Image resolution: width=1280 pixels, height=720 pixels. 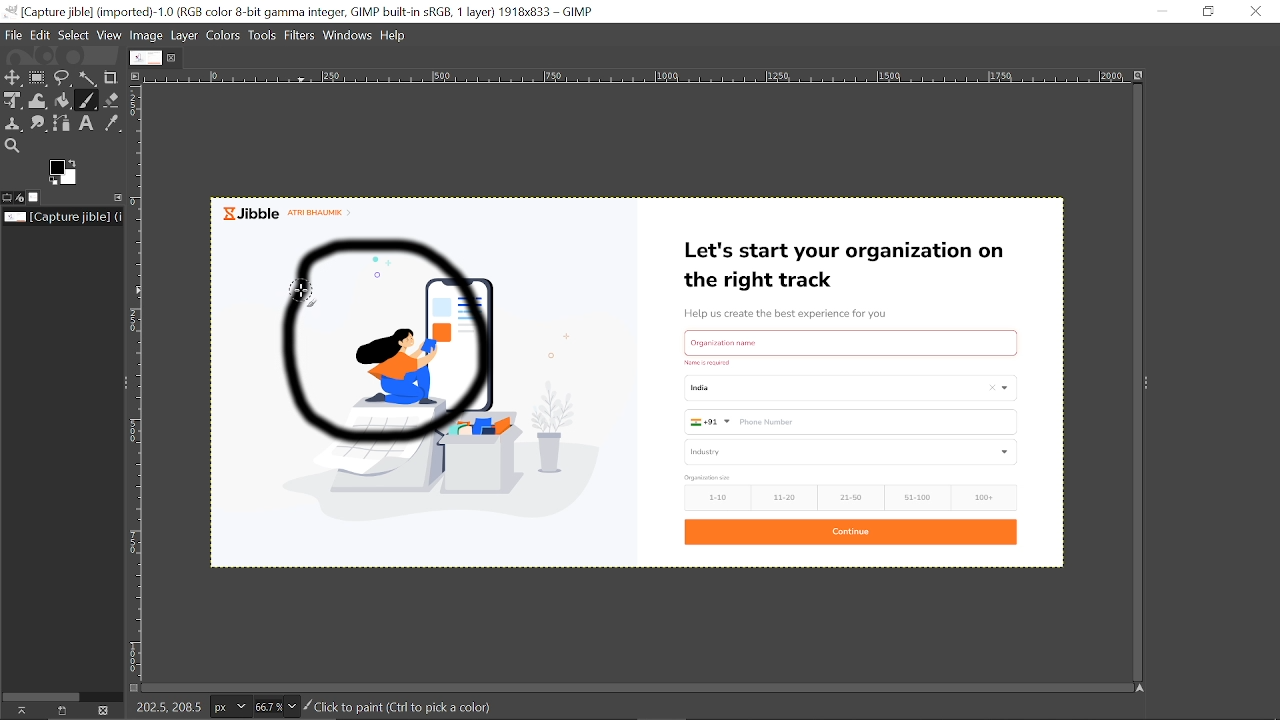 I want to click on View, so click(x=109, y=36).